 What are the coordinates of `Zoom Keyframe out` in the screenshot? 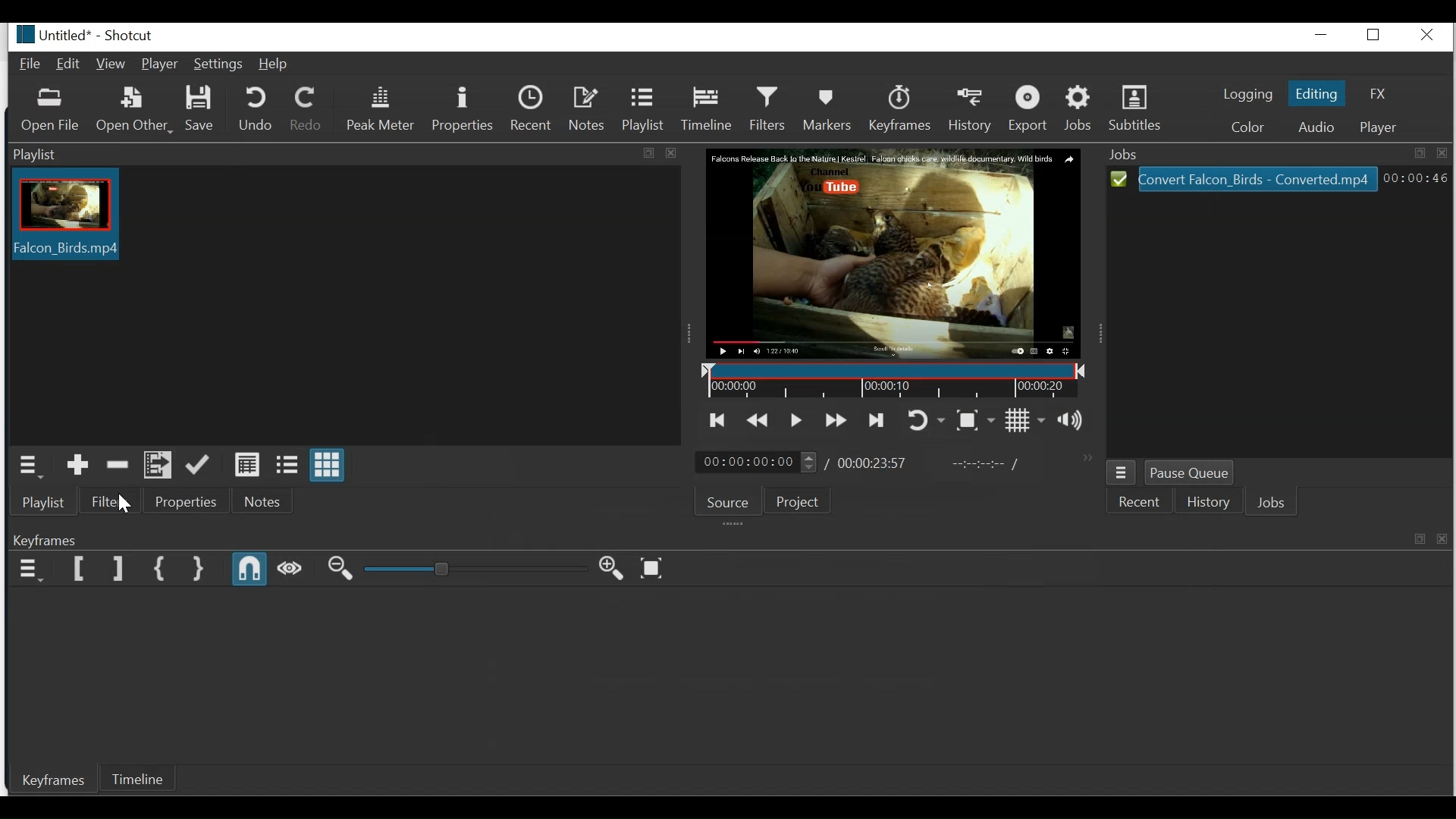 It's located at (338, 570).